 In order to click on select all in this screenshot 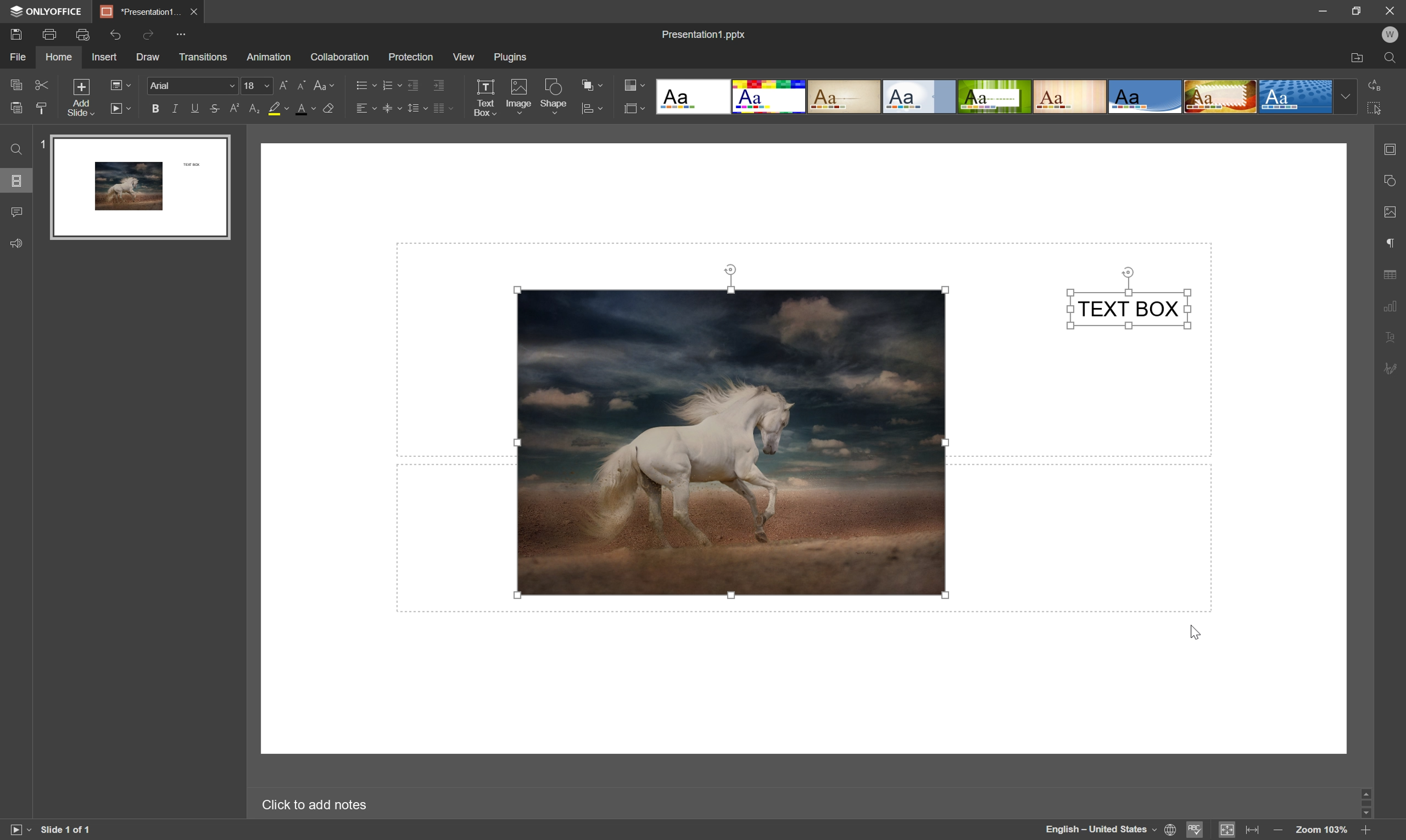, I will do `click(1377, 108)`.